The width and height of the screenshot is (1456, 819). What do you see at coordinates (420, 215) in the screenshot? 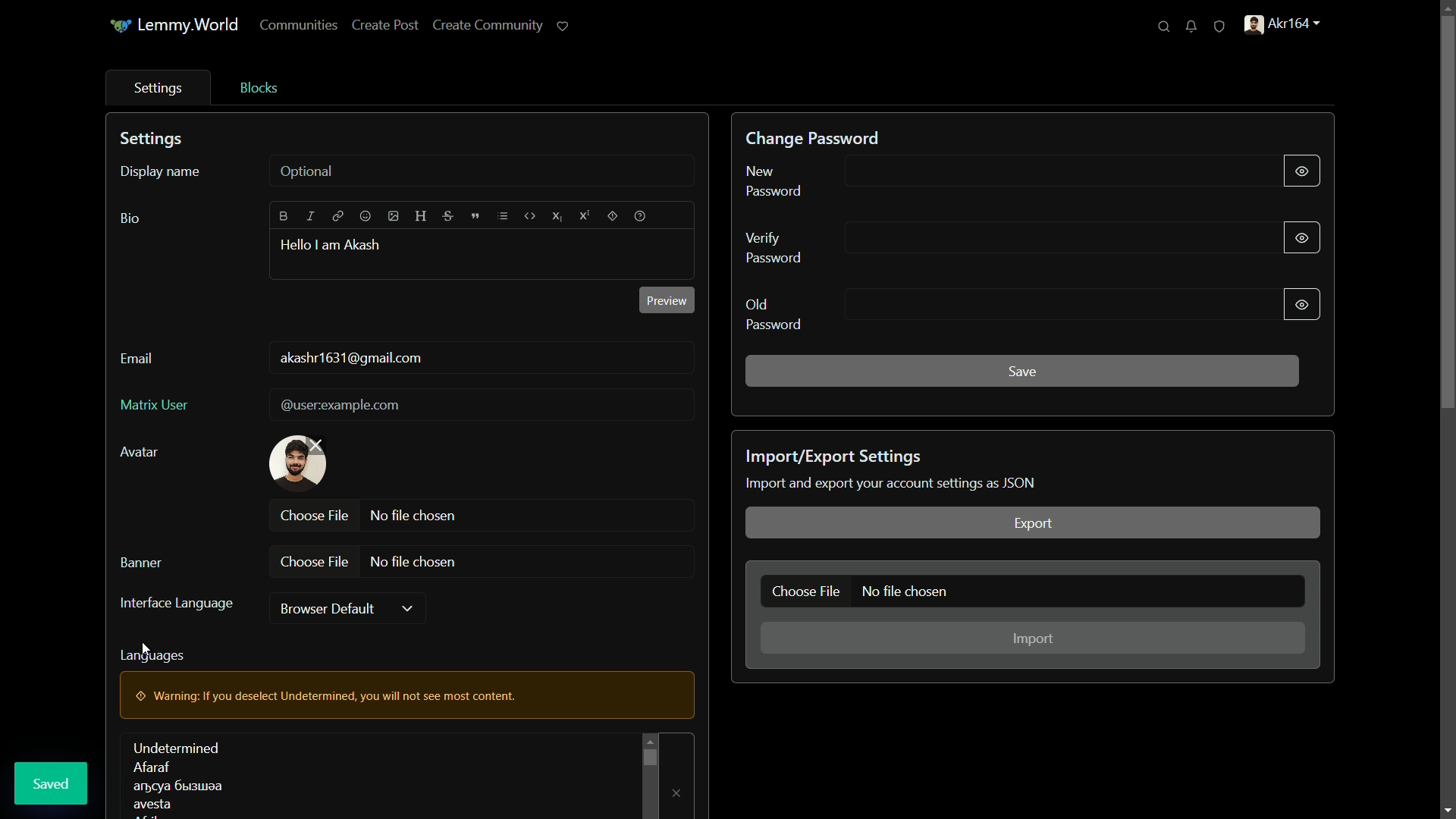
I see `header` at bounding box center [420, 215].